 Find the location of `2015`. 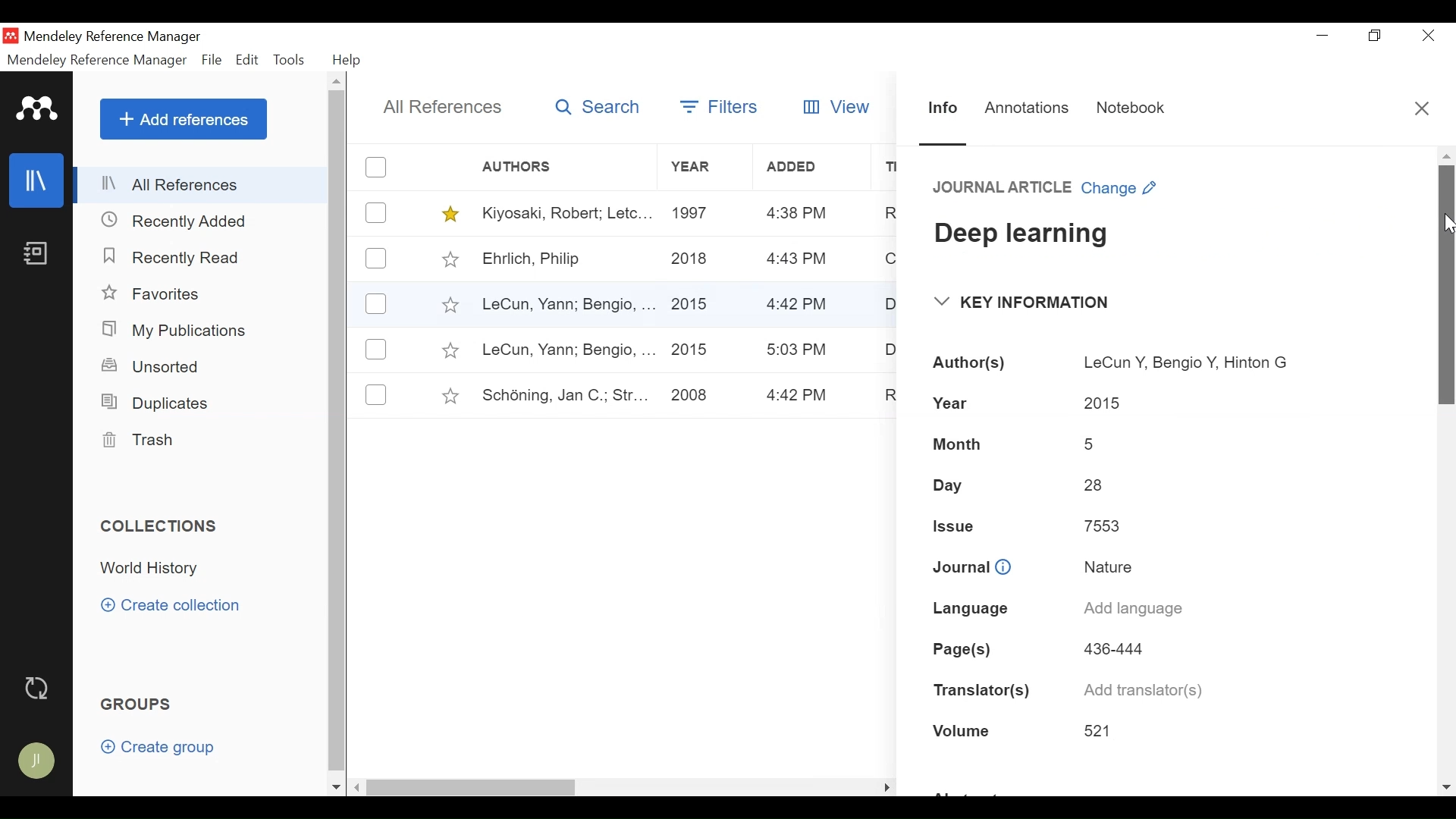

2015 is located at coordinates (690, 303).